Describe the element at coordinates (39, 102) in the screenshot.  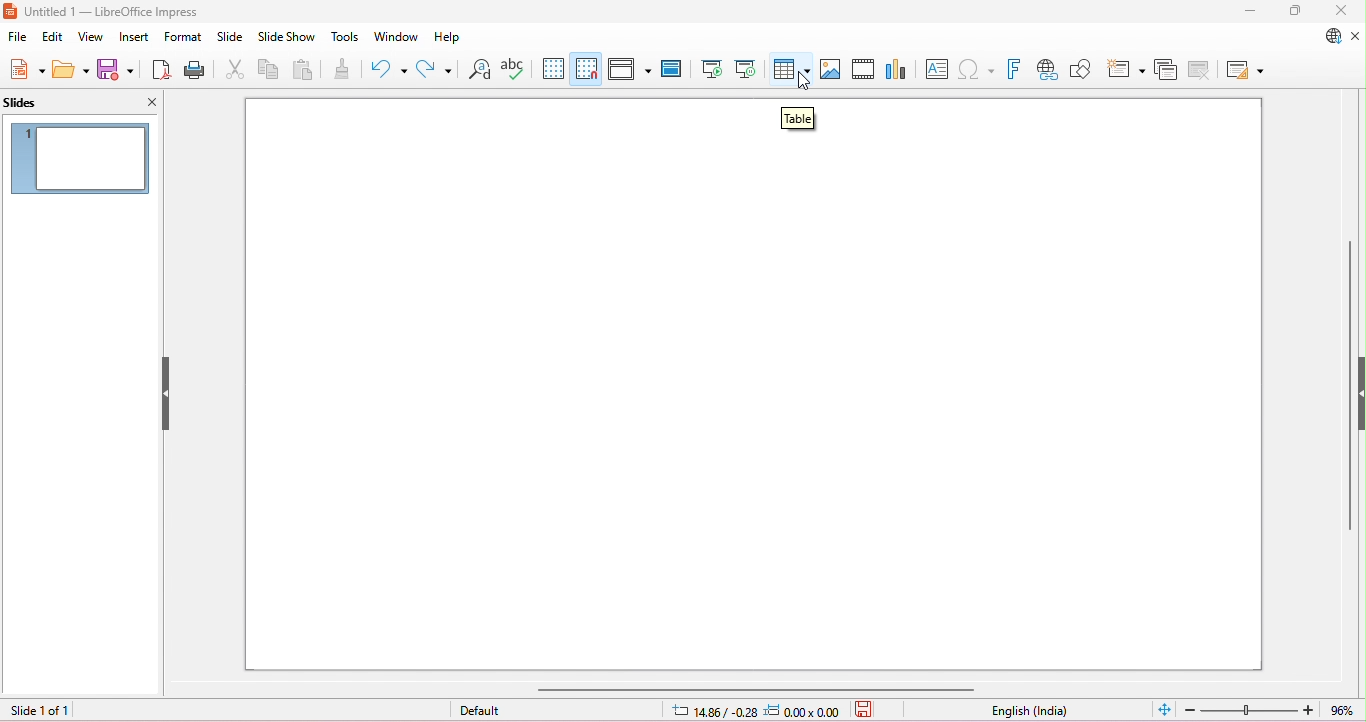
I see `slides` at that location.